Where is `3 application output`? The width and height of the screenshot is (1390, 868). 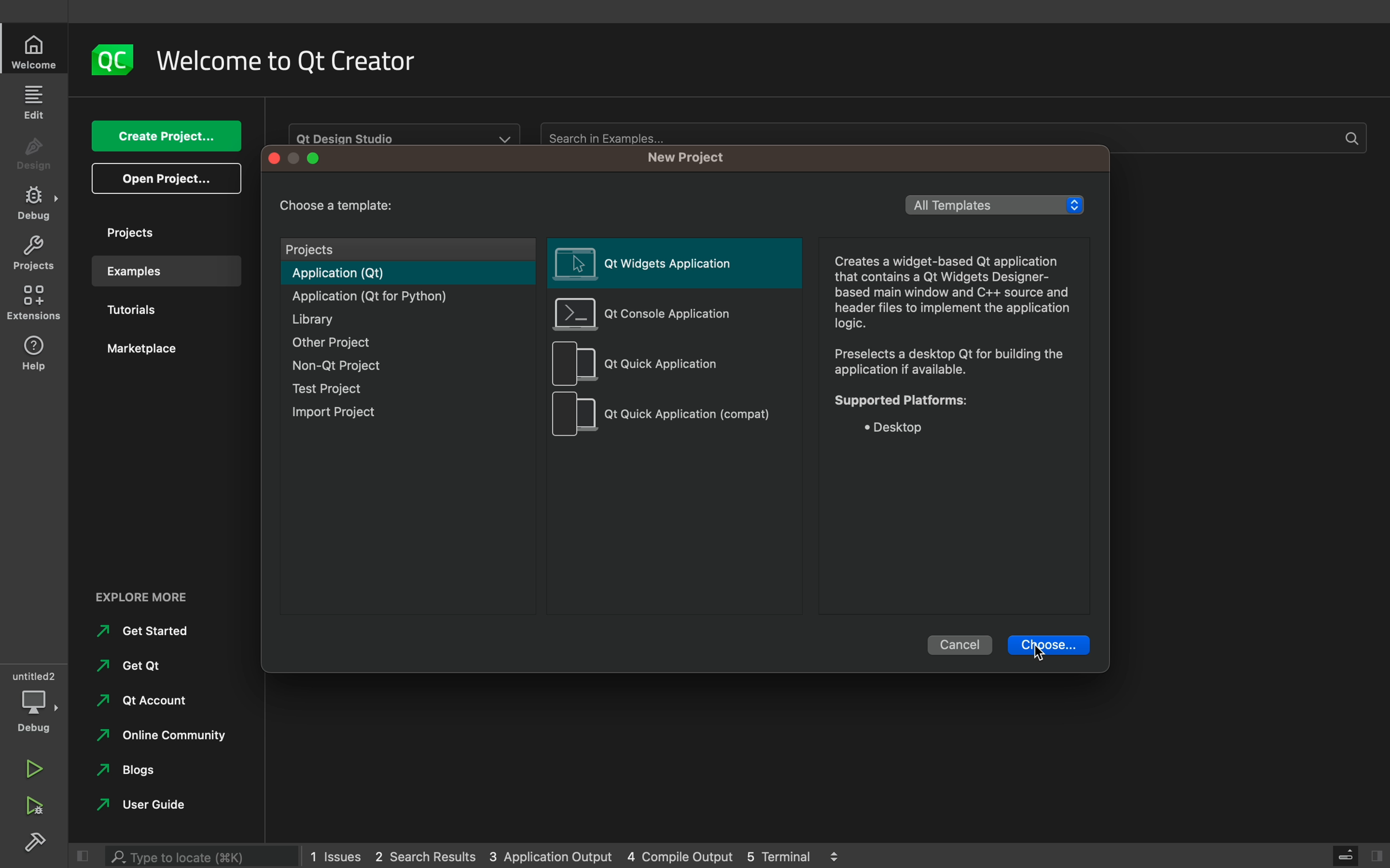
3 application output is located at coordinates (550, 857).